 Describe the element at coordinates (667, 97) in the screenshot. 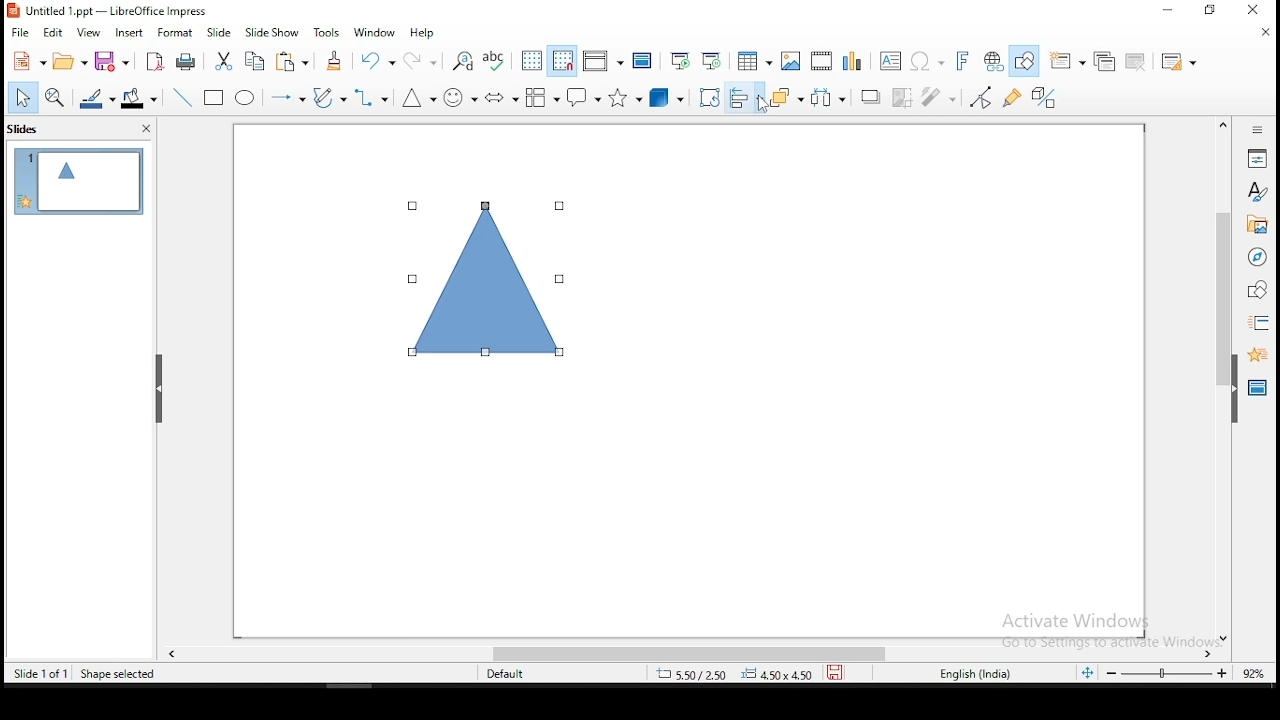

I see `3D objects` at that location.